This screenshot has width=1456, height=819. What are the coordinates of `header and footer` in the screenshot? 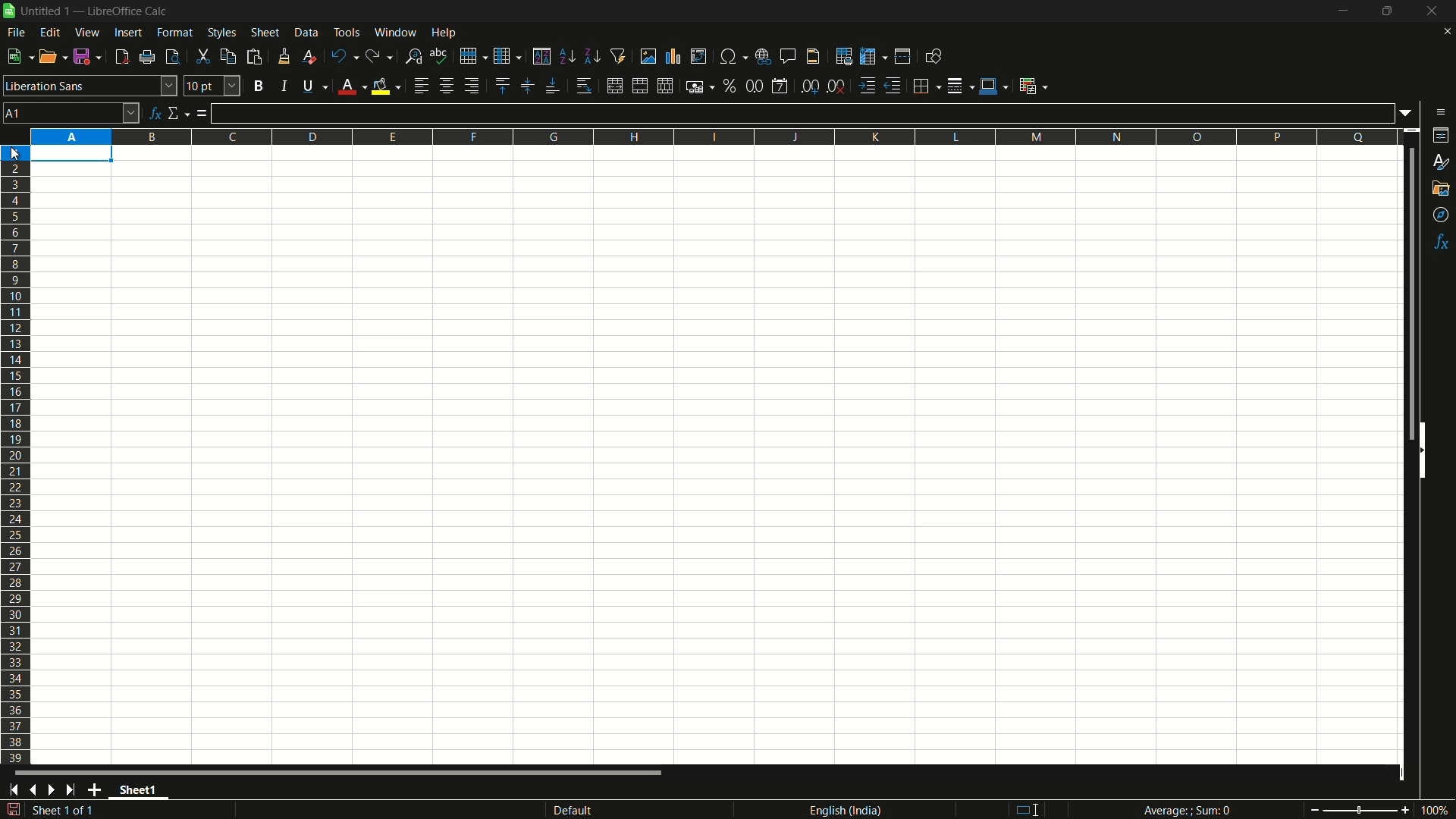 It's located at (814, 57).